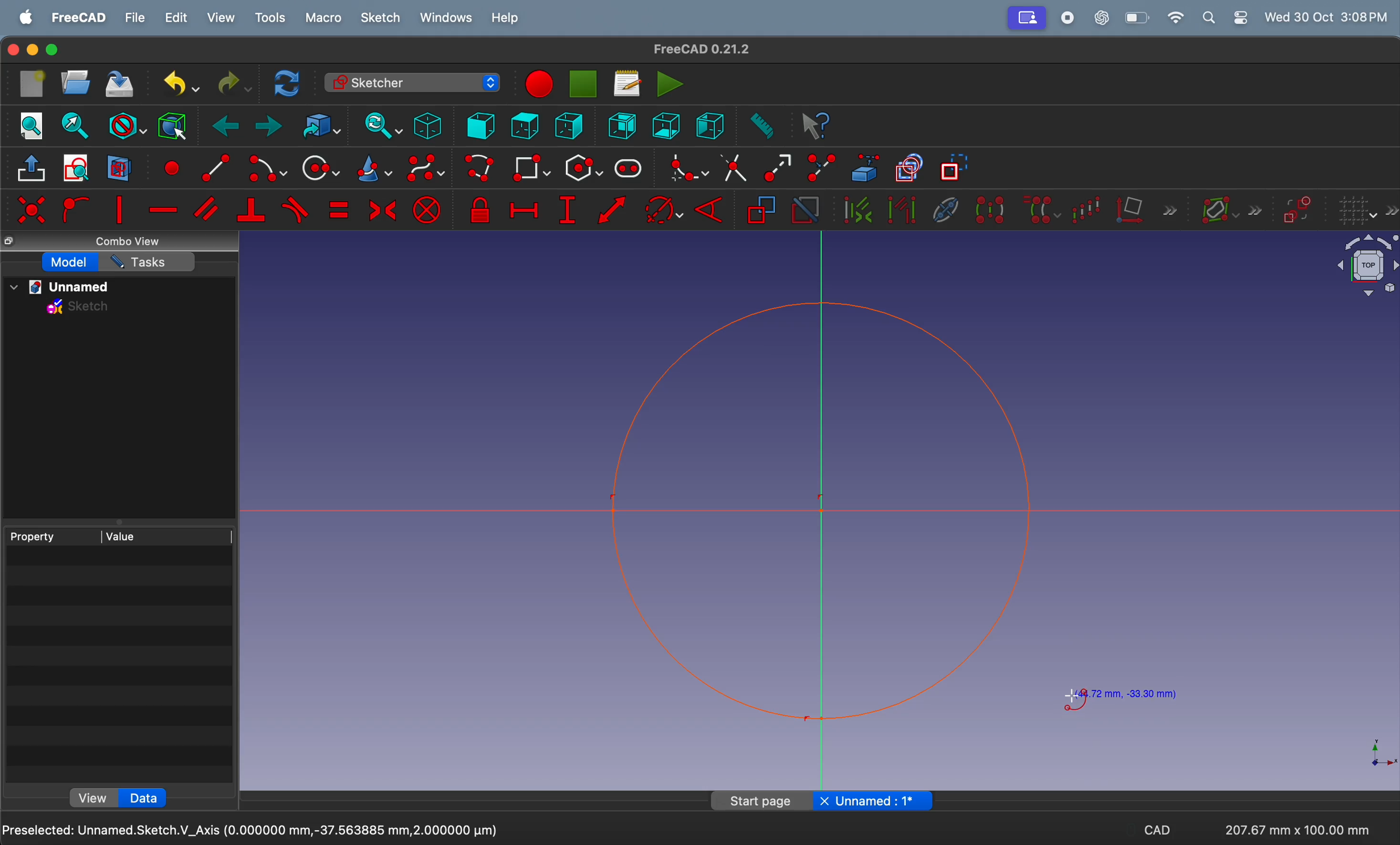 This screenshot has width=1400, height=845. I want to click on constraint arc of circle, so click(664, 210).